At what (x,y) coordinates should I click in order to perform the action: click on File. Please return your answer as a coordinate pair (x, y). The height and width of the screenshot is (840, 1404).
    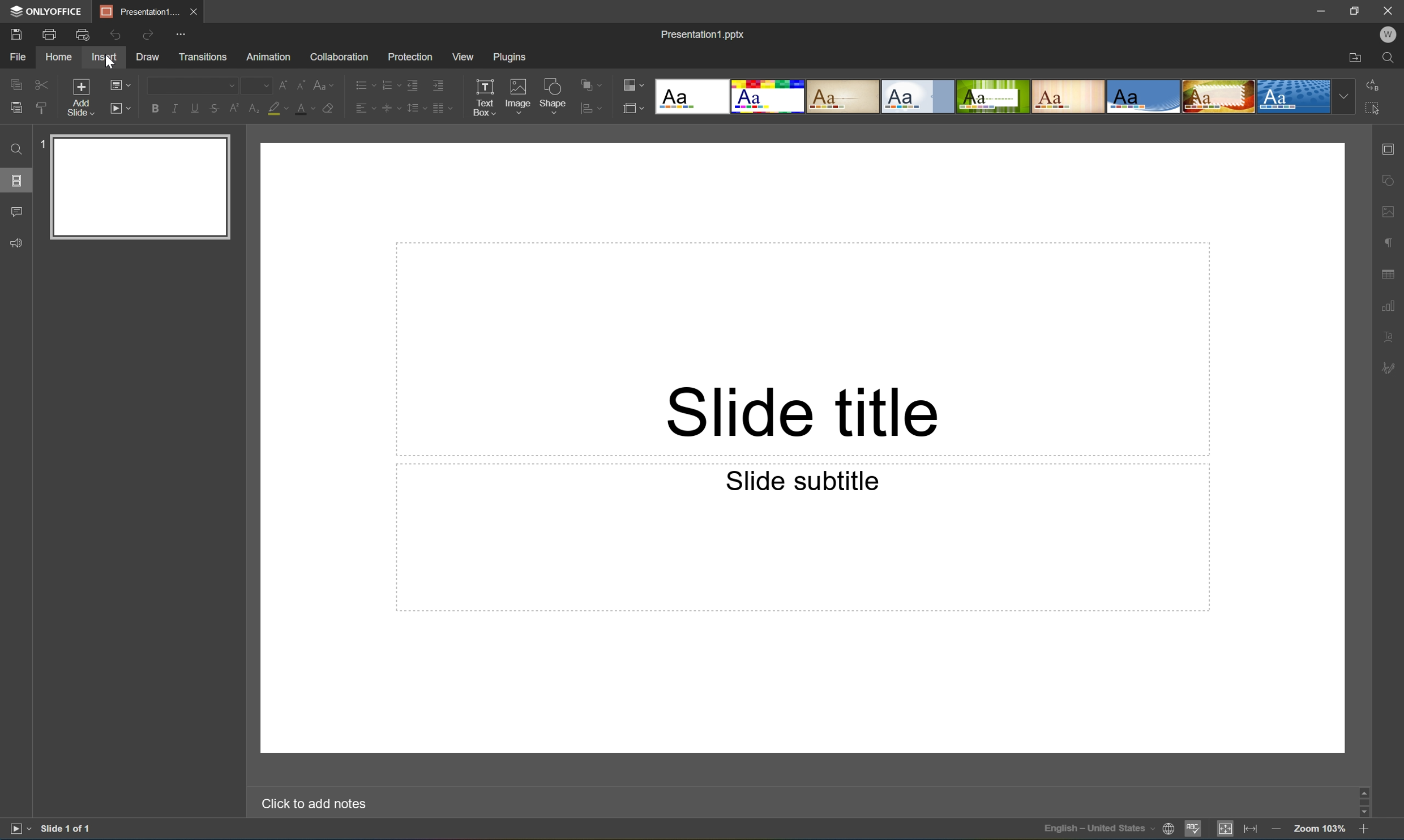
    Looking at the image, I should click on (18, 57).